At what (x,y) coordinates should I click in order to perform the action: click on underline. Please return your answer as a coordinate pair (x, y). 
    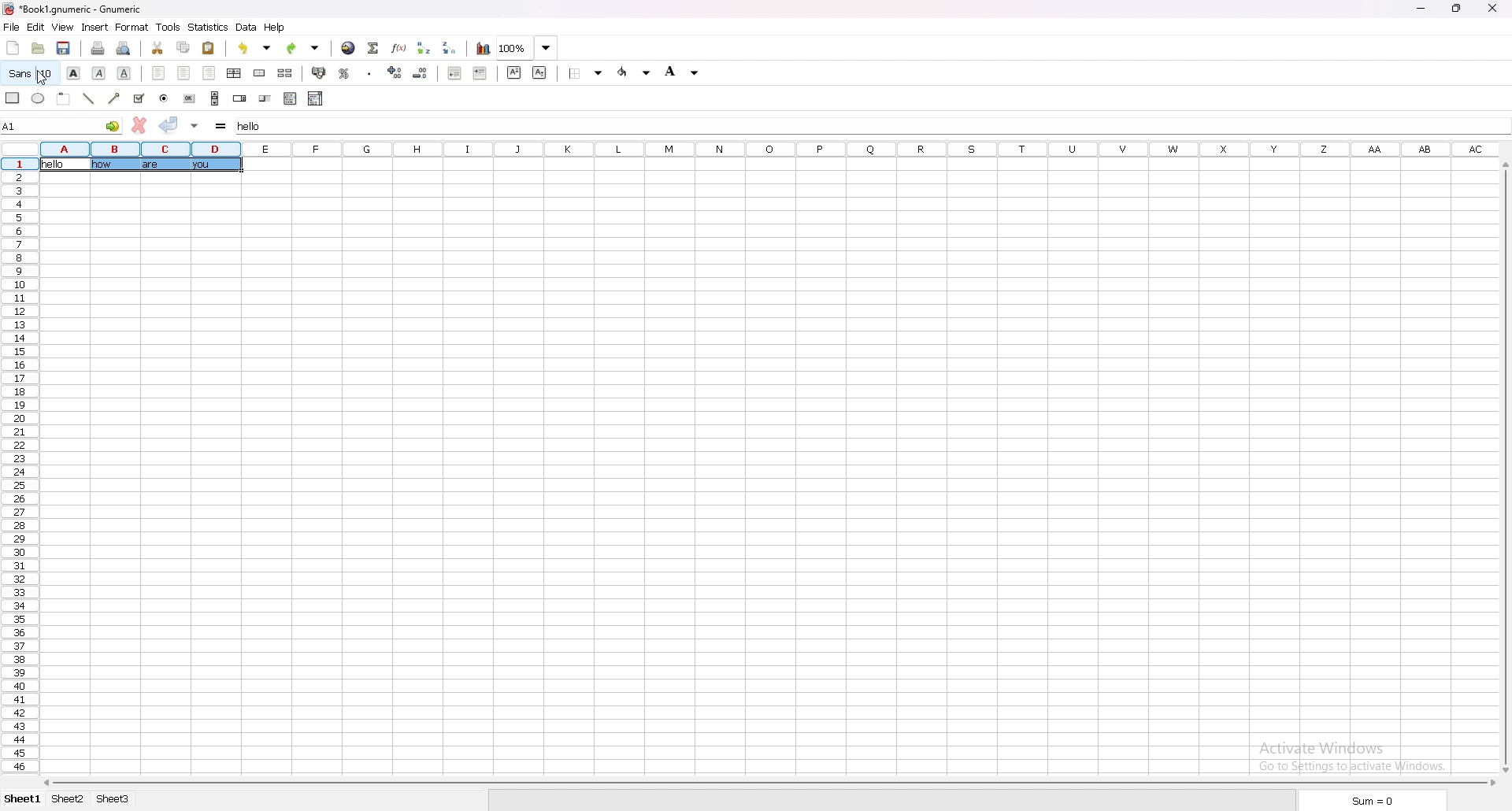
    Looking at the image, I should click on (124, 72).